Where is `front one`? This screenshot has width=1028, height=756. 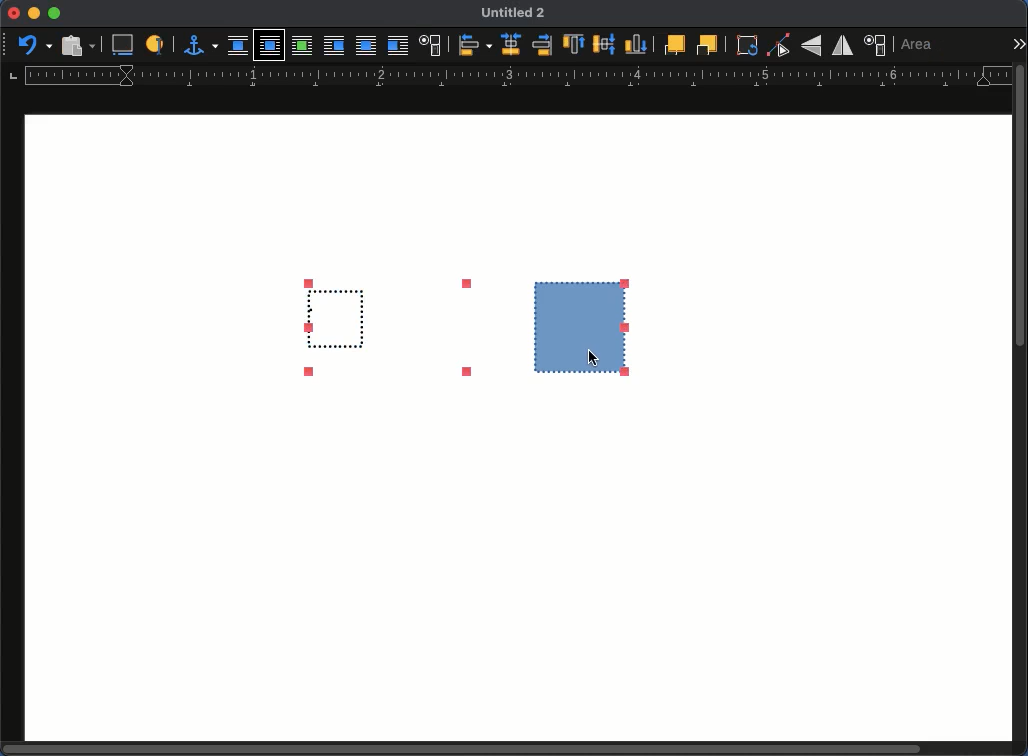
front one is located at coordinates (673, 47).